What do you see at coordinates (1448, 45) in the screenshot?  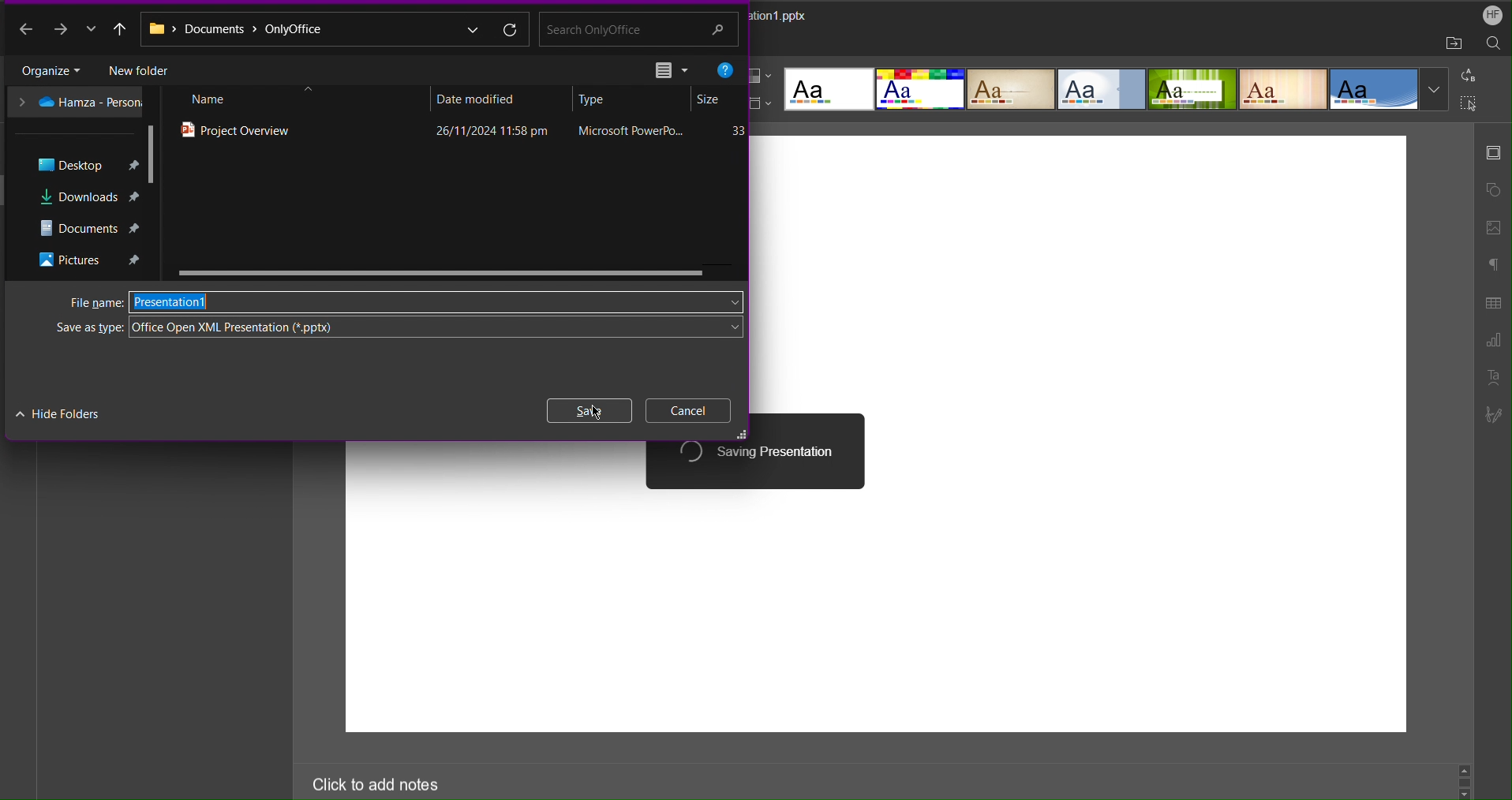 I see `Open File Location` at bounding box center [1448, 45].